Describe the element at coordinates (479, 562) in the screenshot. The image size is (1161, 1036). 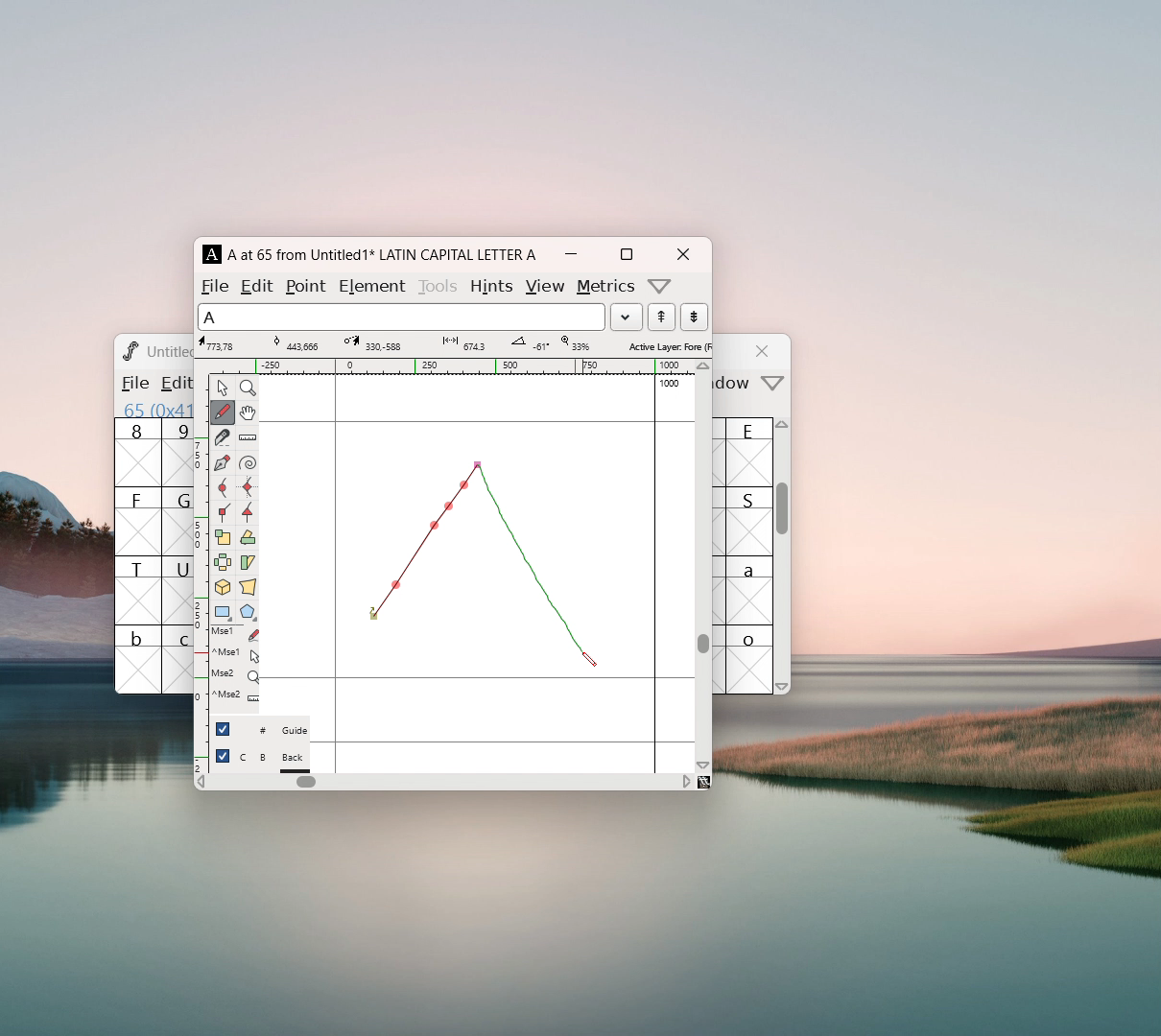
I see `draw shape` at that location.